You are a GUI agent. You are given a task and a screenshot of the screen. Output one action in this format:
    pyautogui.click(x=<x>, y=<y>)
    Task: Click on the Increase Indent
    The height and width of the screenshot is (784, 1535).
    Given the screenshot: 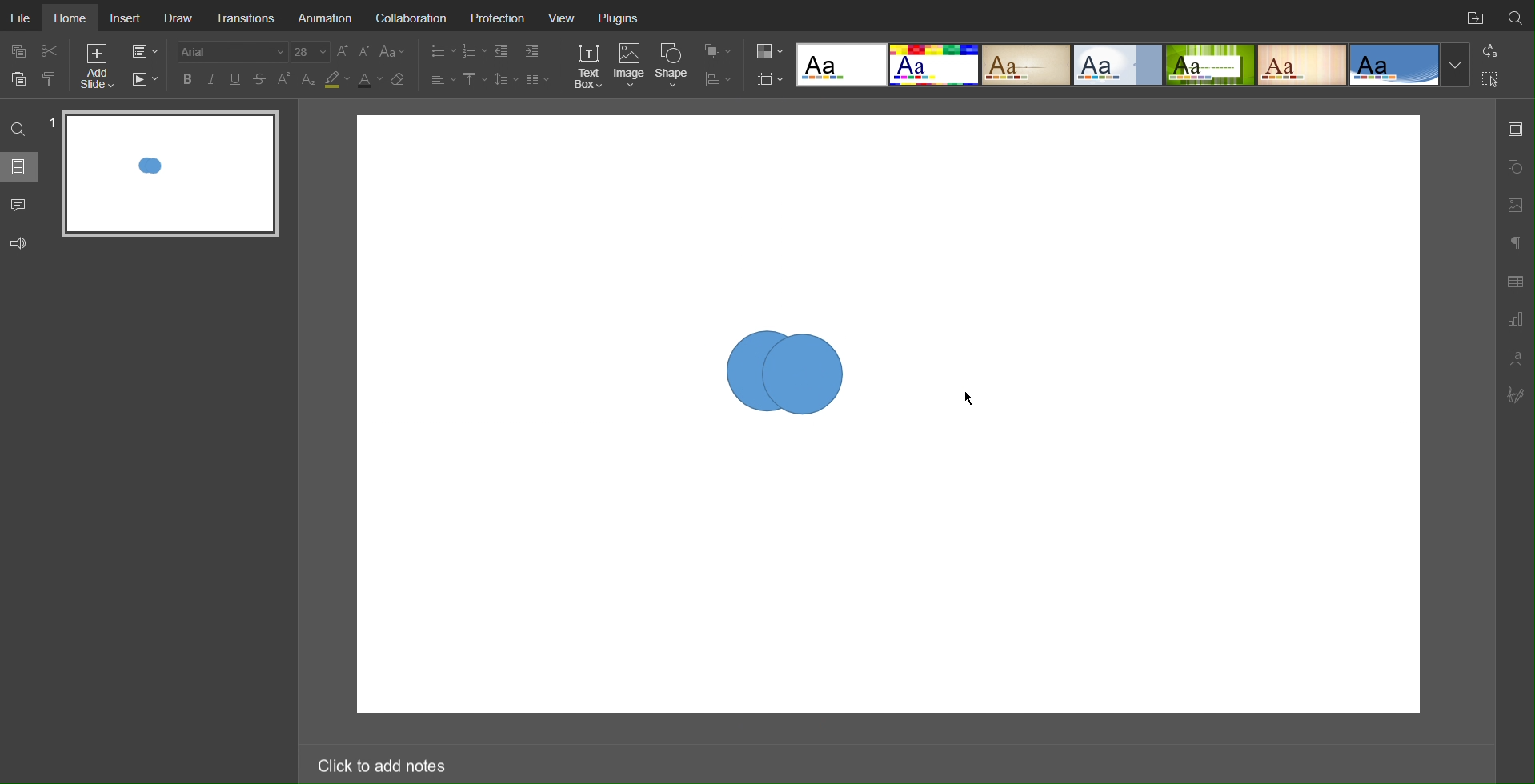 What is the action you would take?
    pyautogui.click(x=531, y=52)
    